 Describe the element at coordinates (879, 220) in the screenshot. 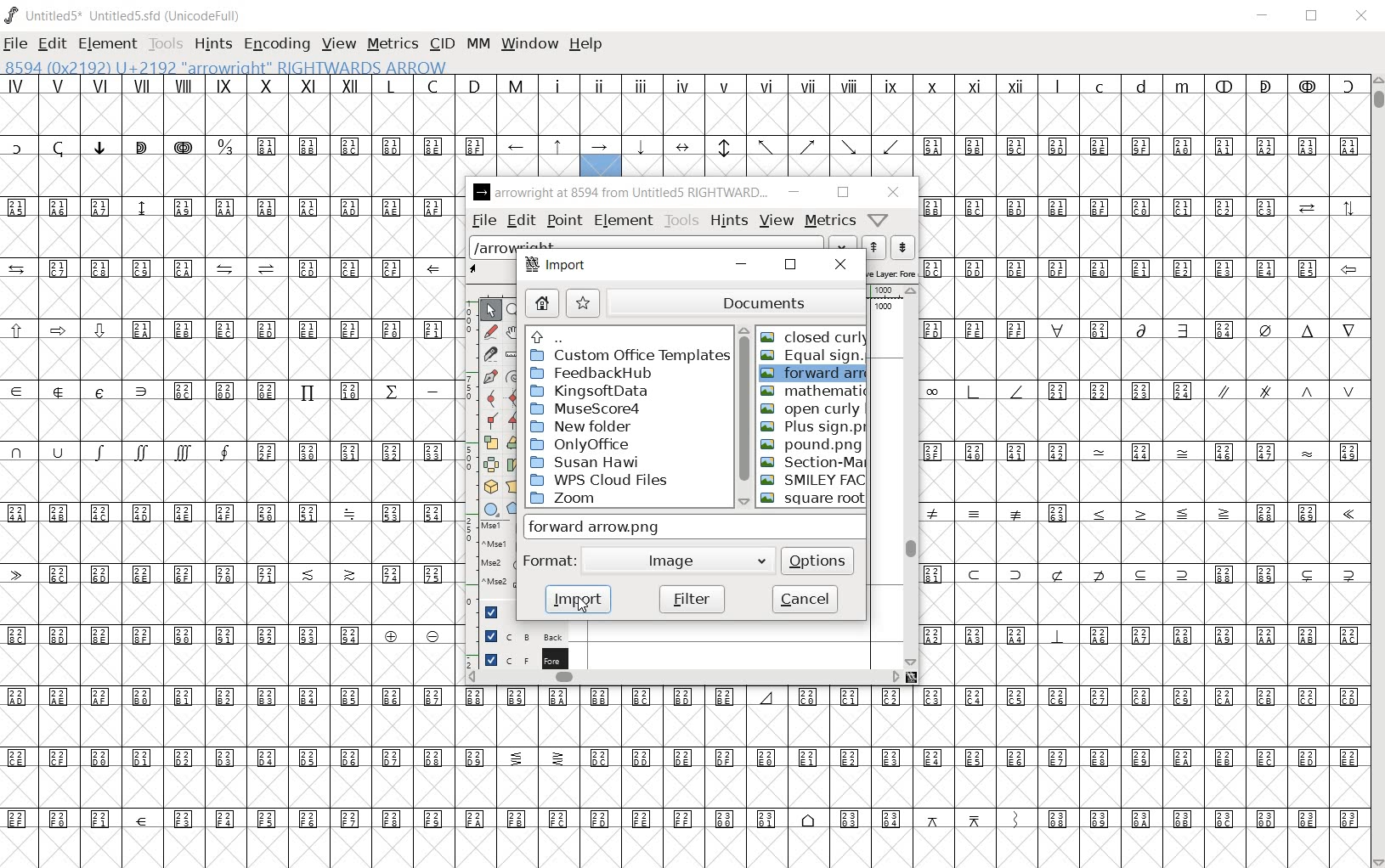

I see `Help/Window` at that location.